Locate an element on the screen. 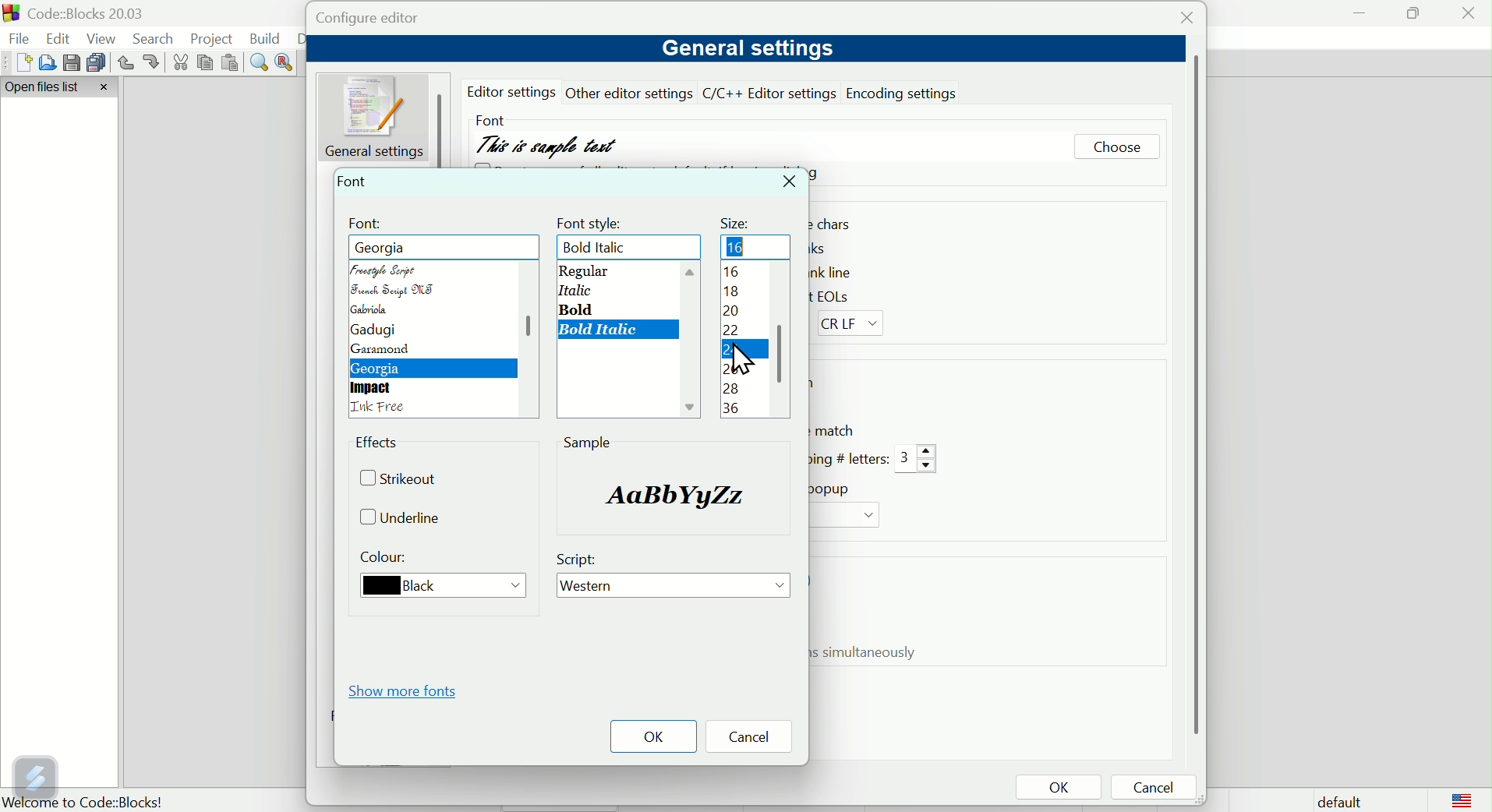 The height and width of the screenshot is (812, 1492). Strike out is located at coordinates (405, 481).